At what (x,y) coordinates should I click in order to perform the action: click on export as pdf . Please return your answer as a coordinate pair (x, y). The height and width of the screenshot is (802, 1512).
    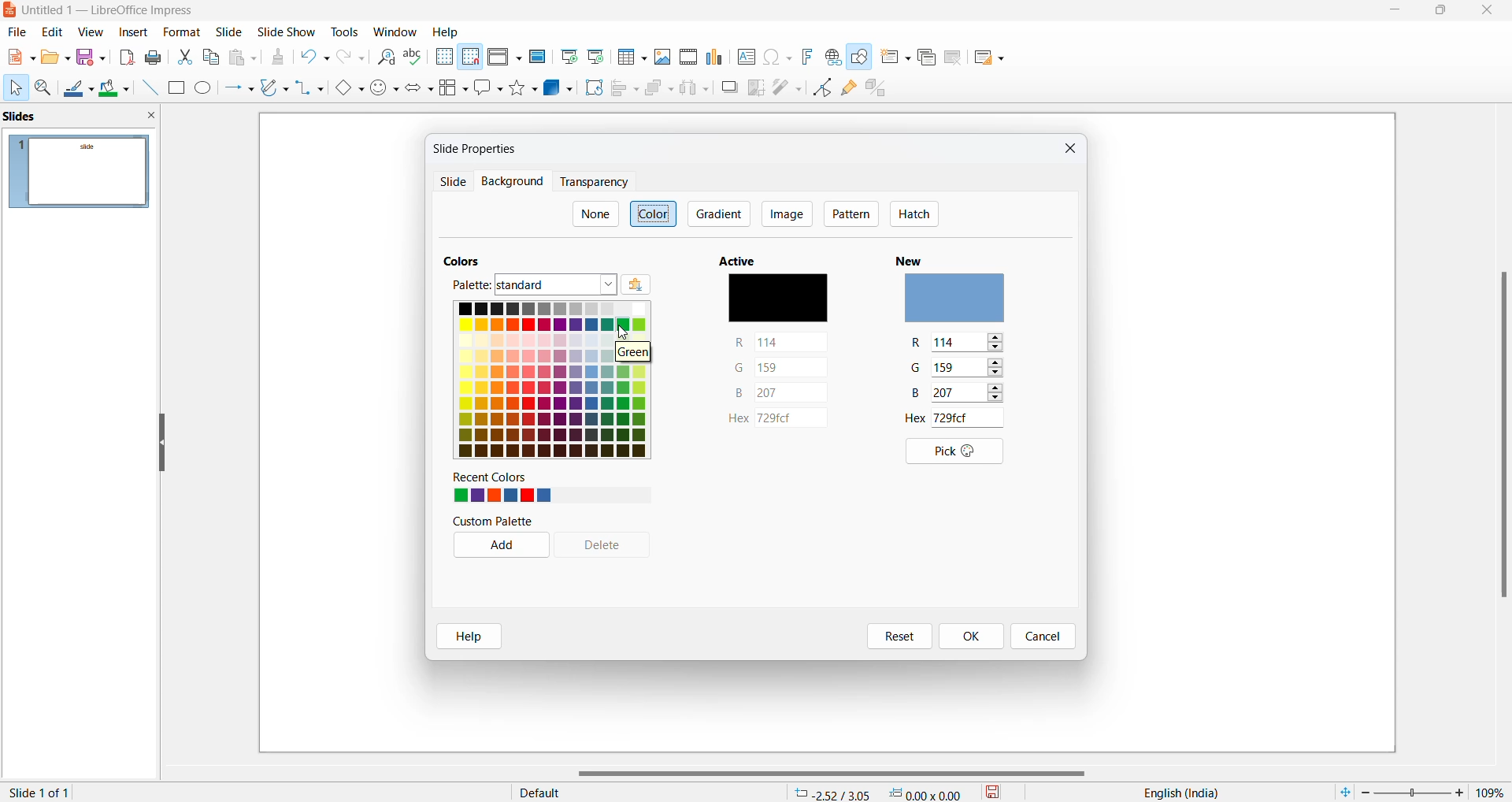
    Looking at the image, I should click on (126, 57).